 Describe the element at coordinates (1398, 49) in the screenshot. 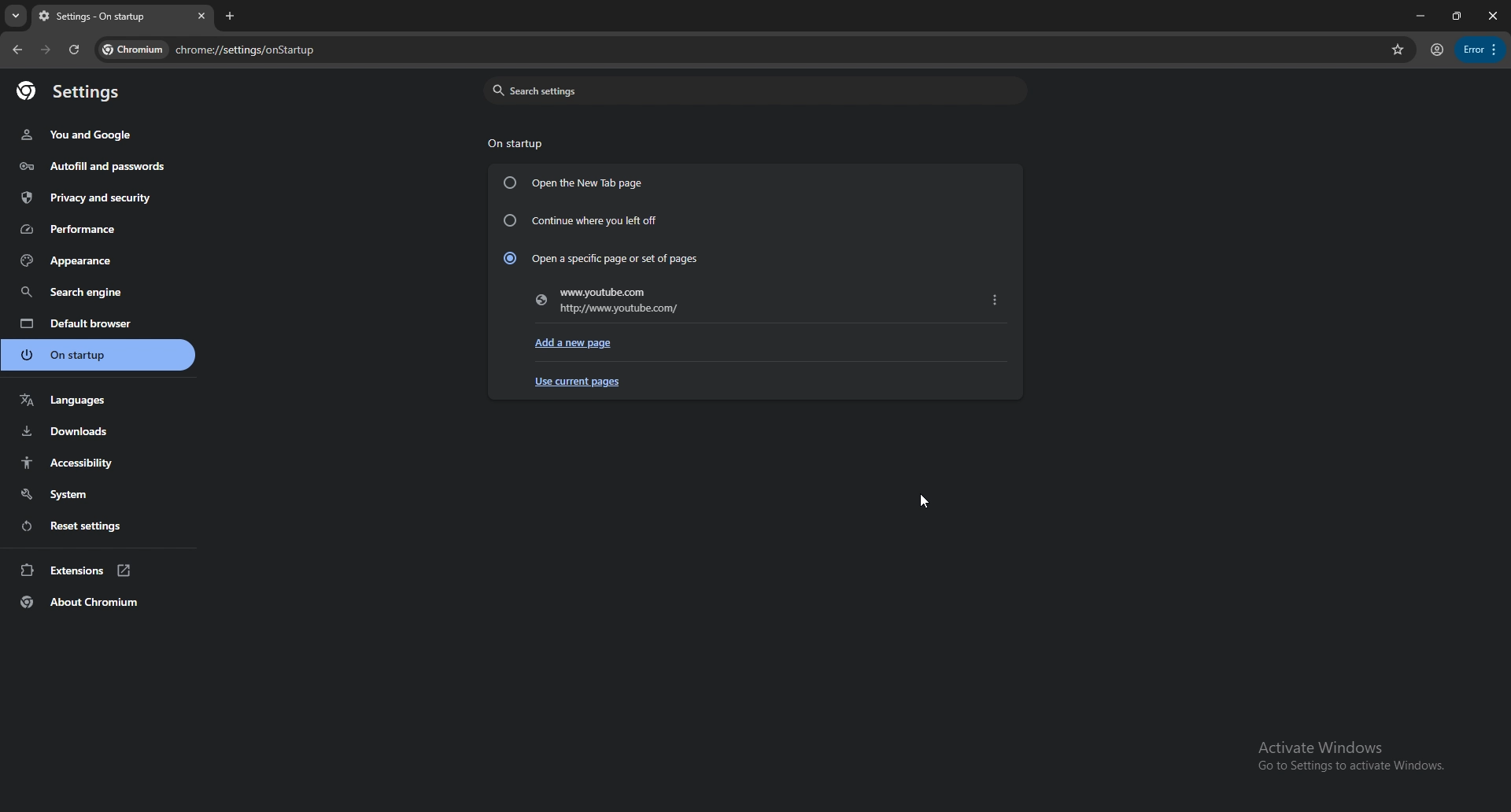

I see `favorites` at that location.